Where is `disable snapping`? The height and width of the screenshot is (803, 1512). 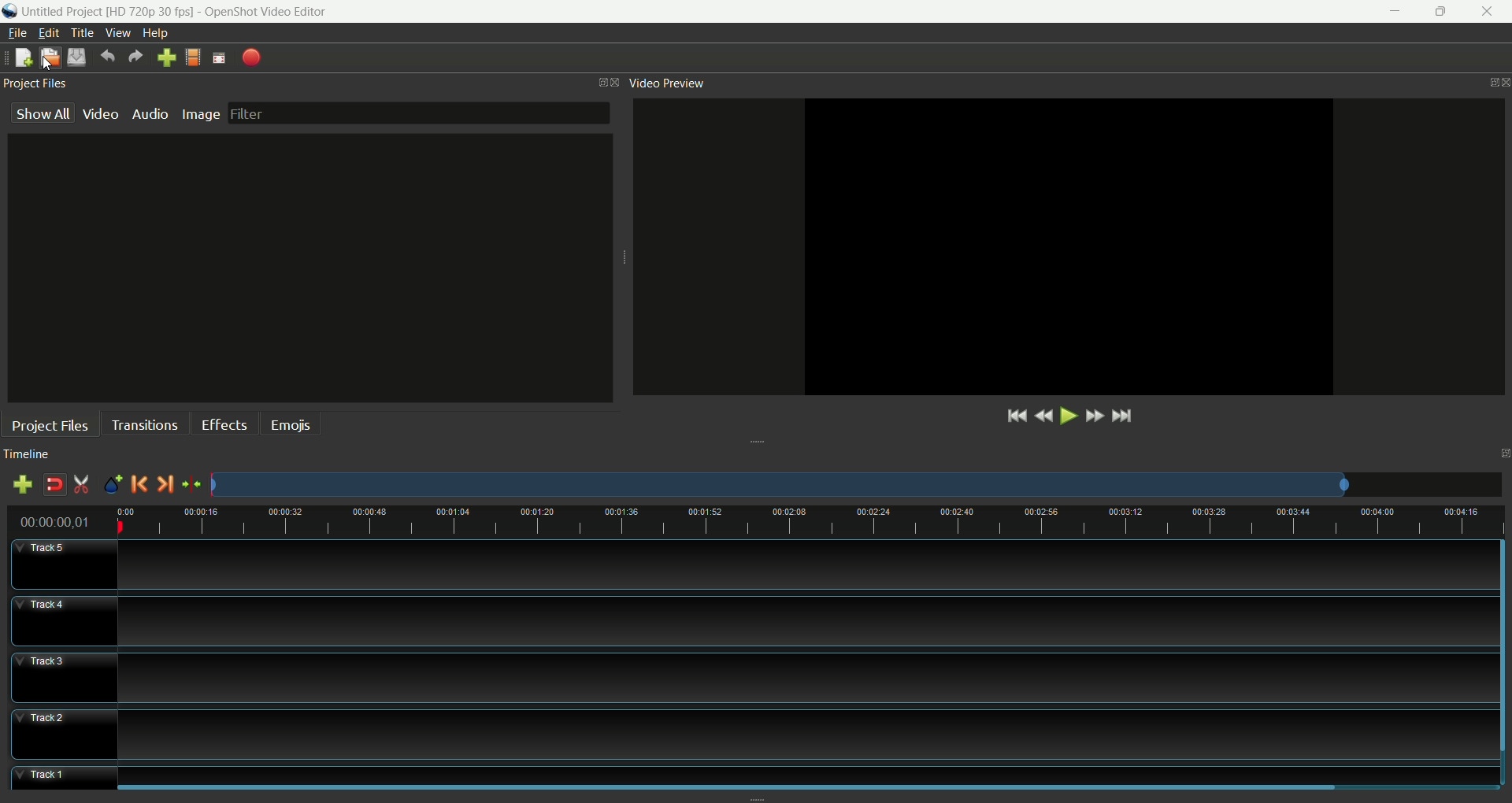
disable snapping is located at coordinates (51, 482).